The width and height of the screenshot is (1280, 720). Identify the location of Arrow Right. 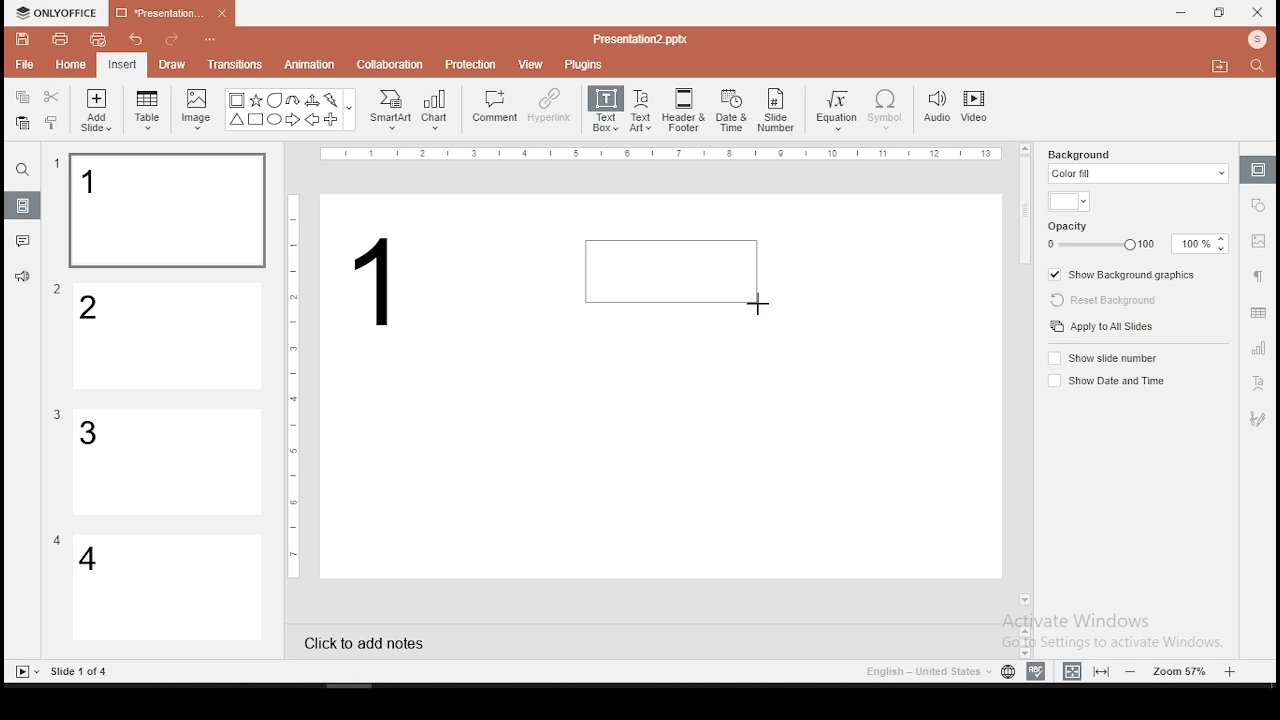
(294, 121).